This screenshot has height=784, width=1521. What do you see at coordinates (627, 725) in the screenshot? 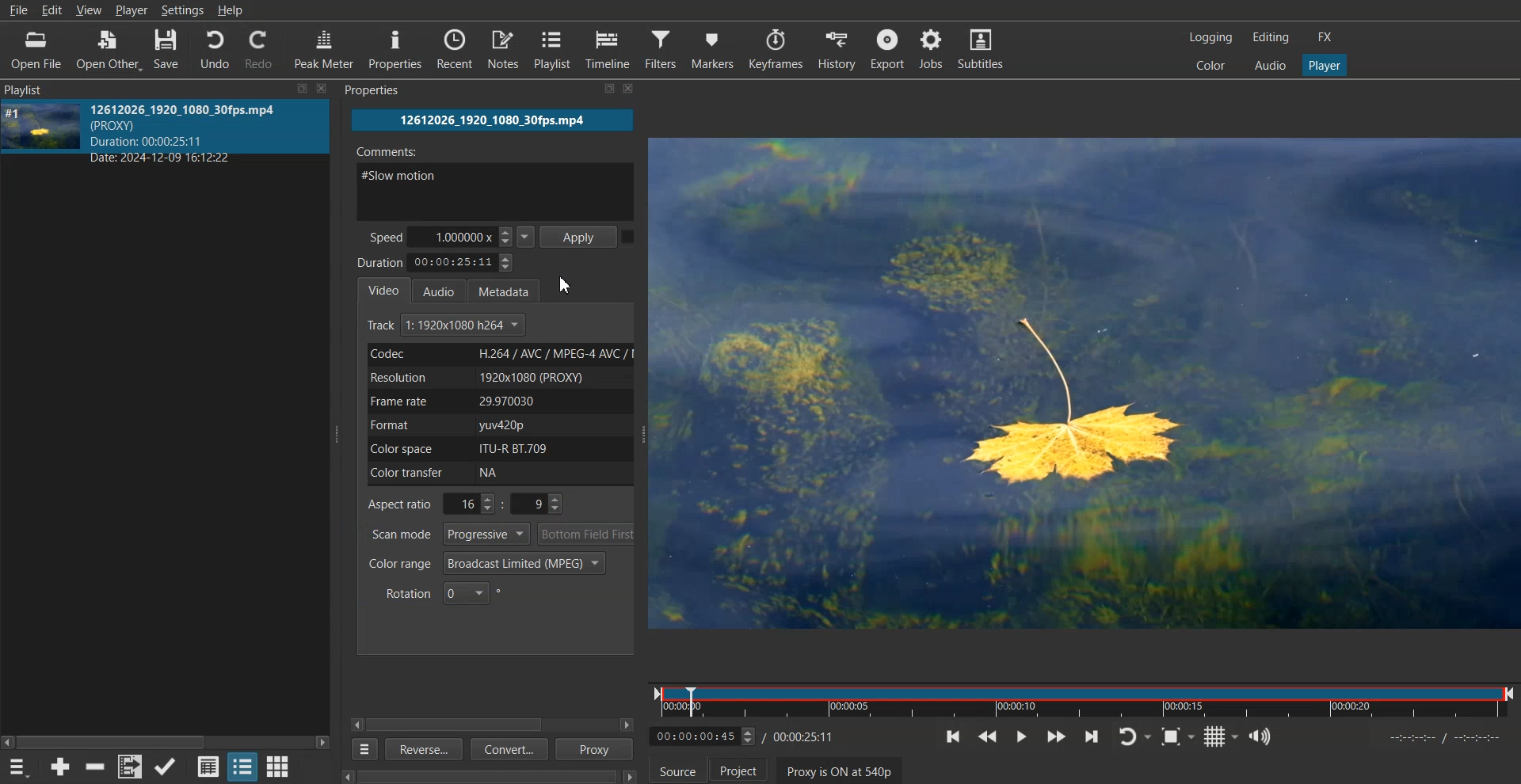
I see `Scroll Right` at bounding box center [627, 725].